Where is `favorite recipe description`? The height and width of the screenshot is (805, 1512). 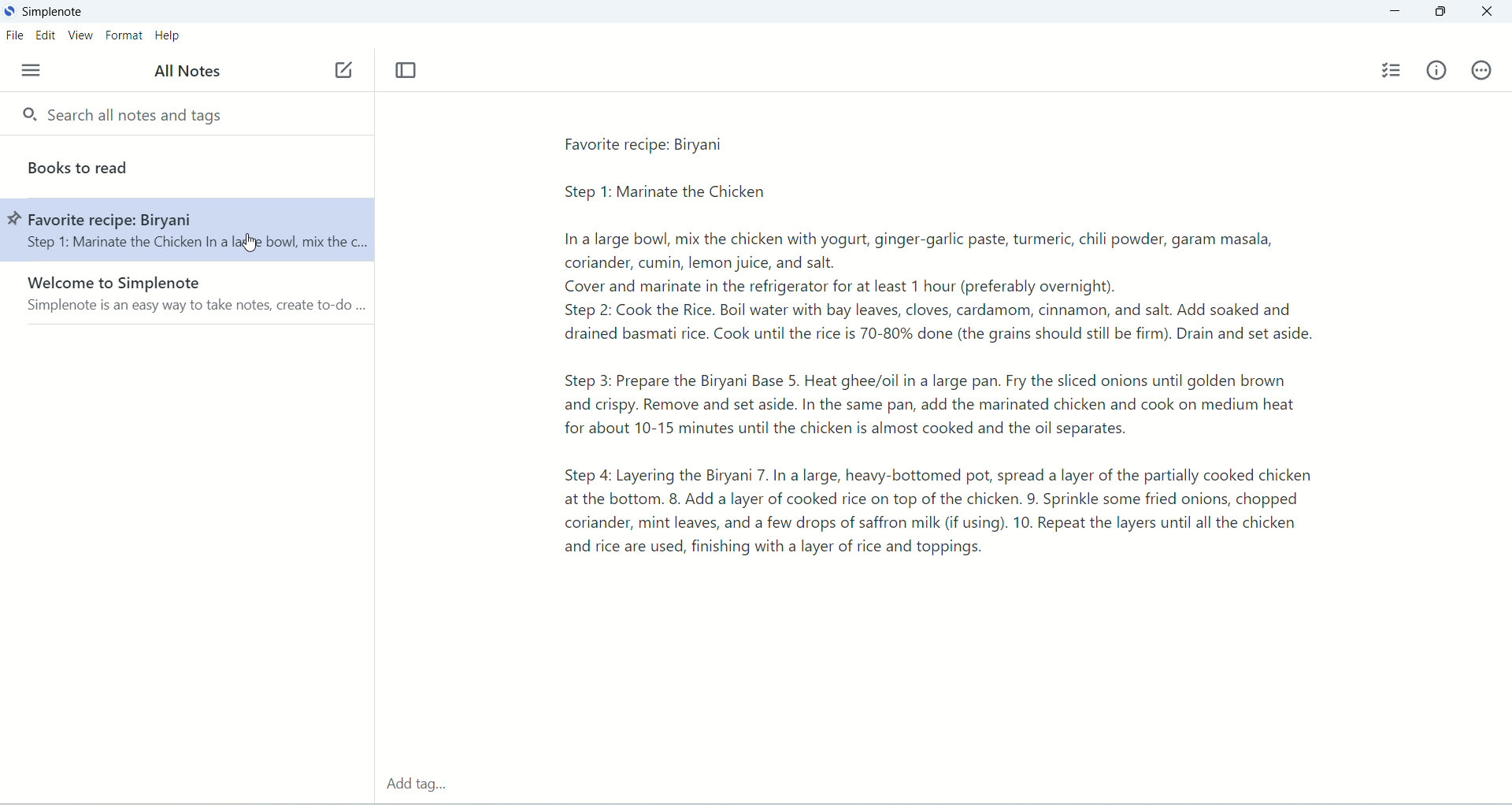
favorite recipe description is located at coordinates (975, 350).